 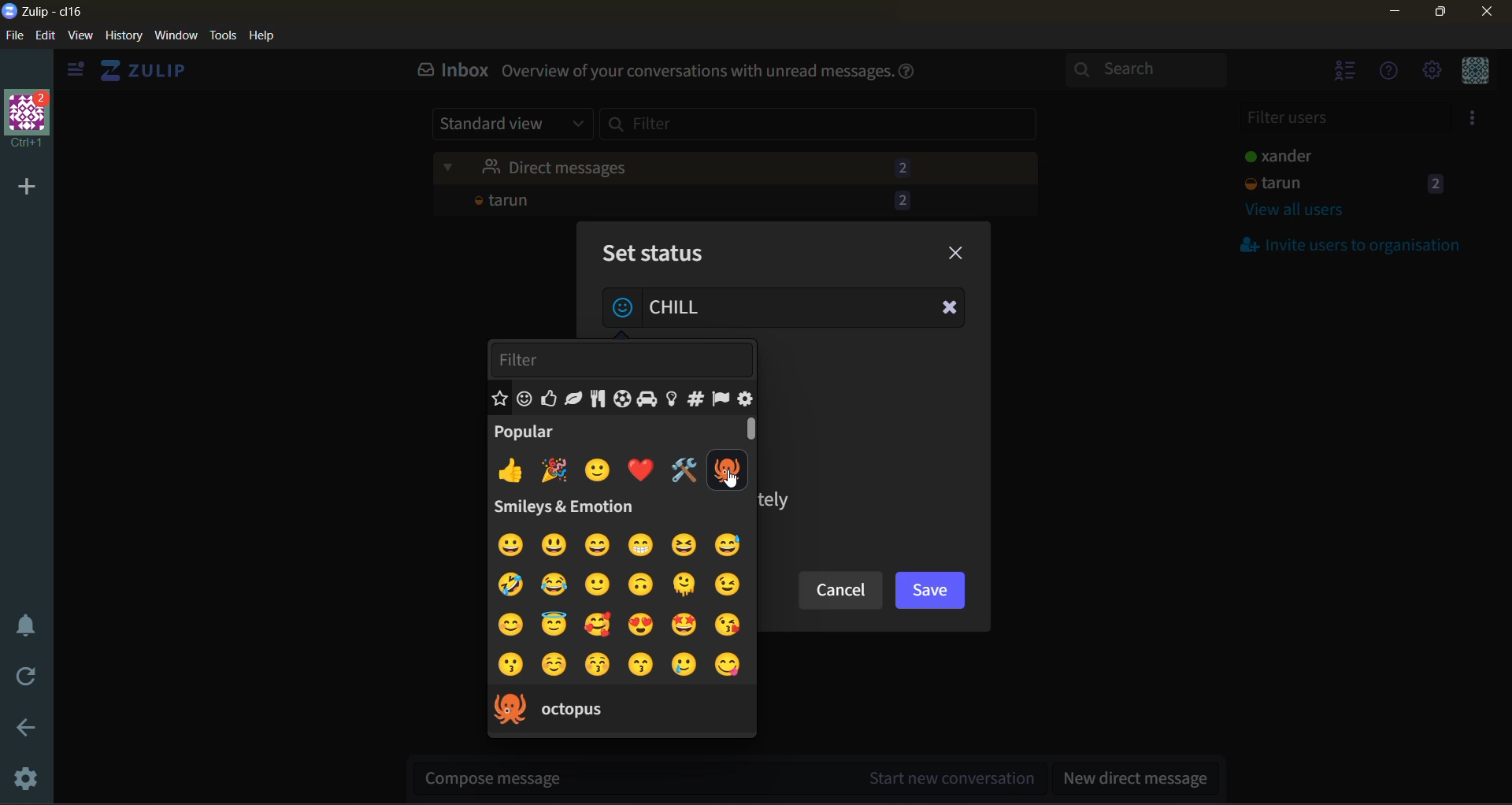 I want to click on emoji, so click(x=747, y=399).